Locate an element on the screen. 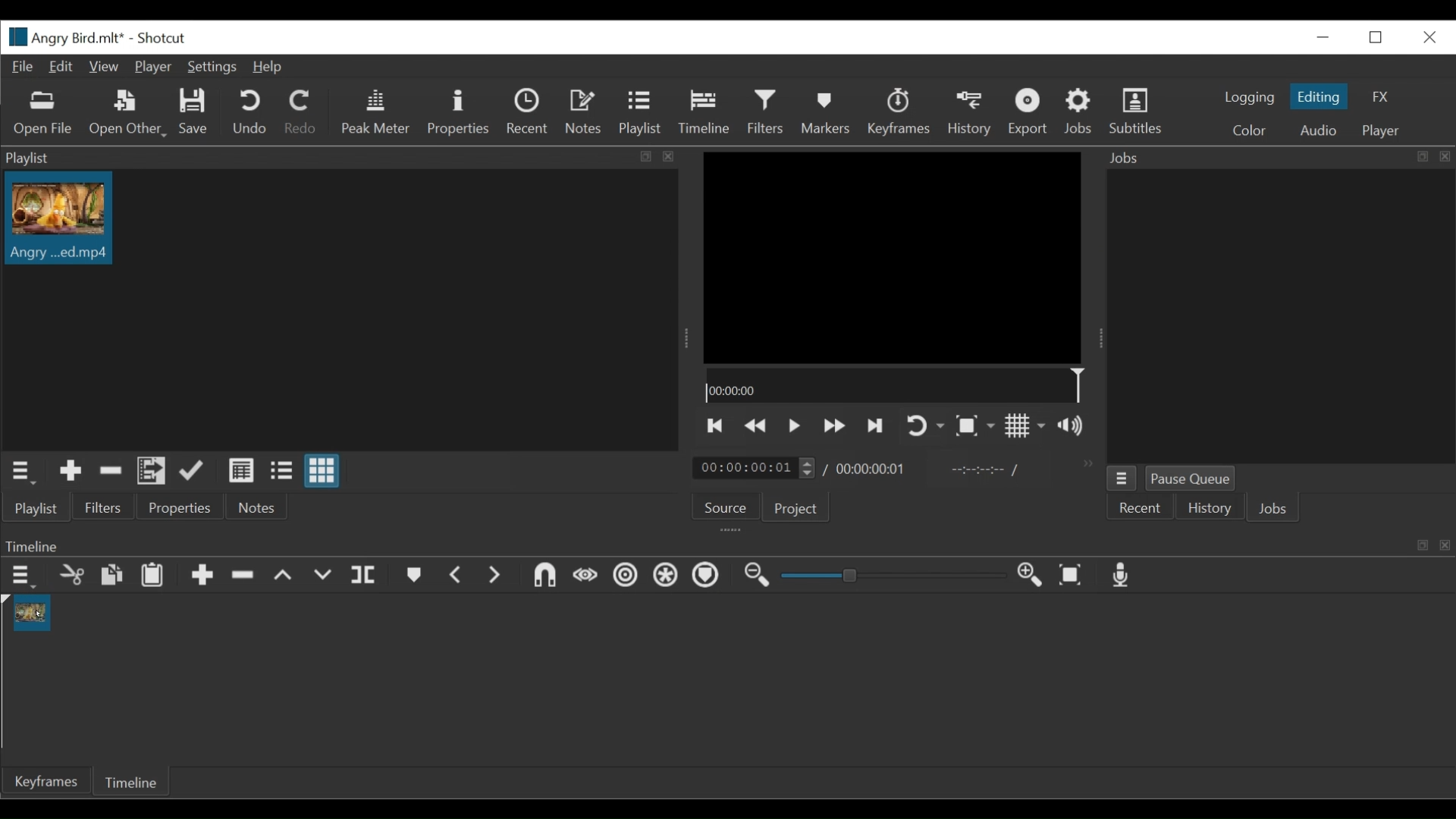 This screenshot has width=1456, height=819. Markers is located at coordinates (829, 114).